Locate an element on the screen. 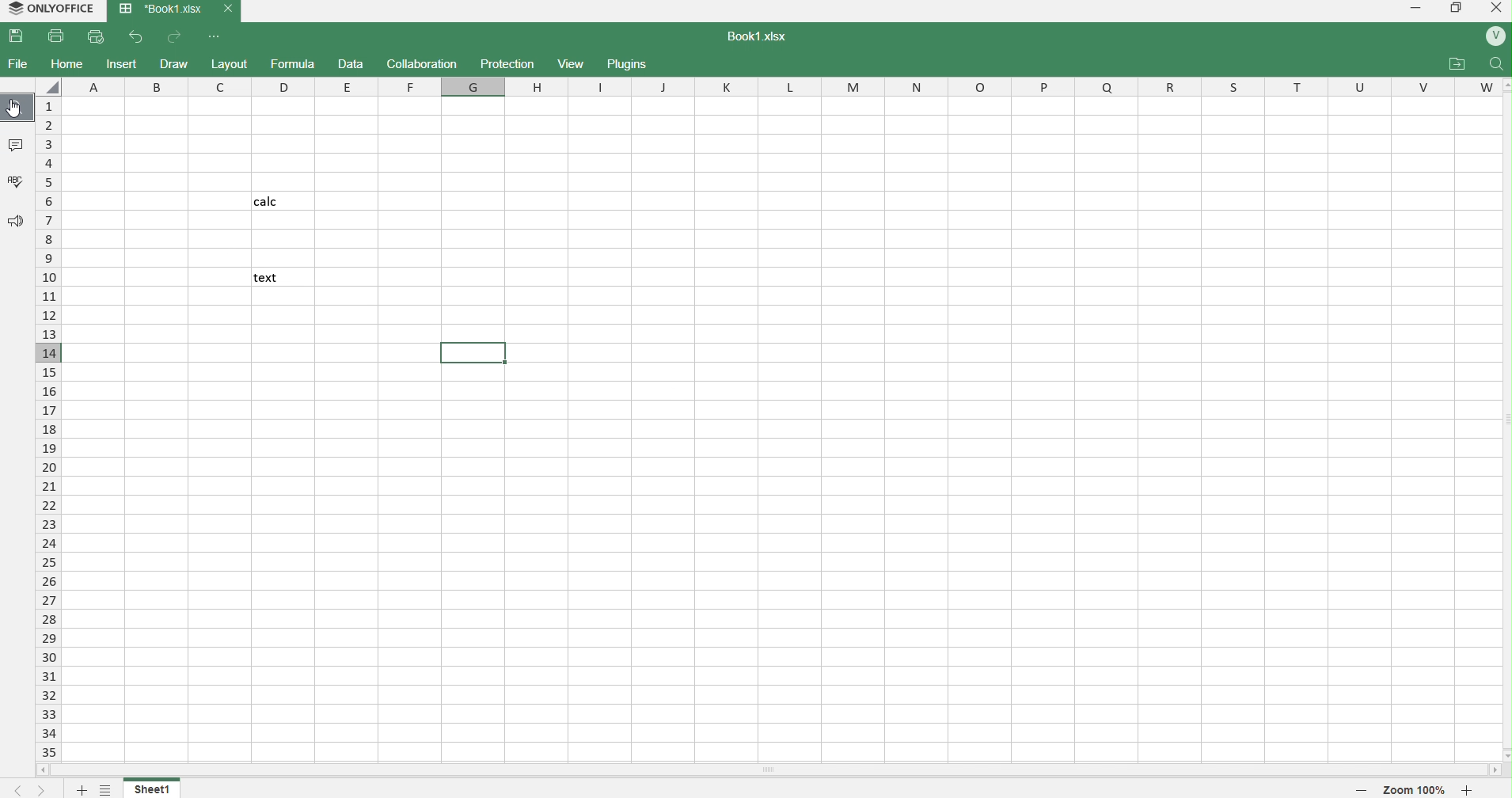 This screenshot has width=1512, height=798. move left is located at coordinates (44, 769).